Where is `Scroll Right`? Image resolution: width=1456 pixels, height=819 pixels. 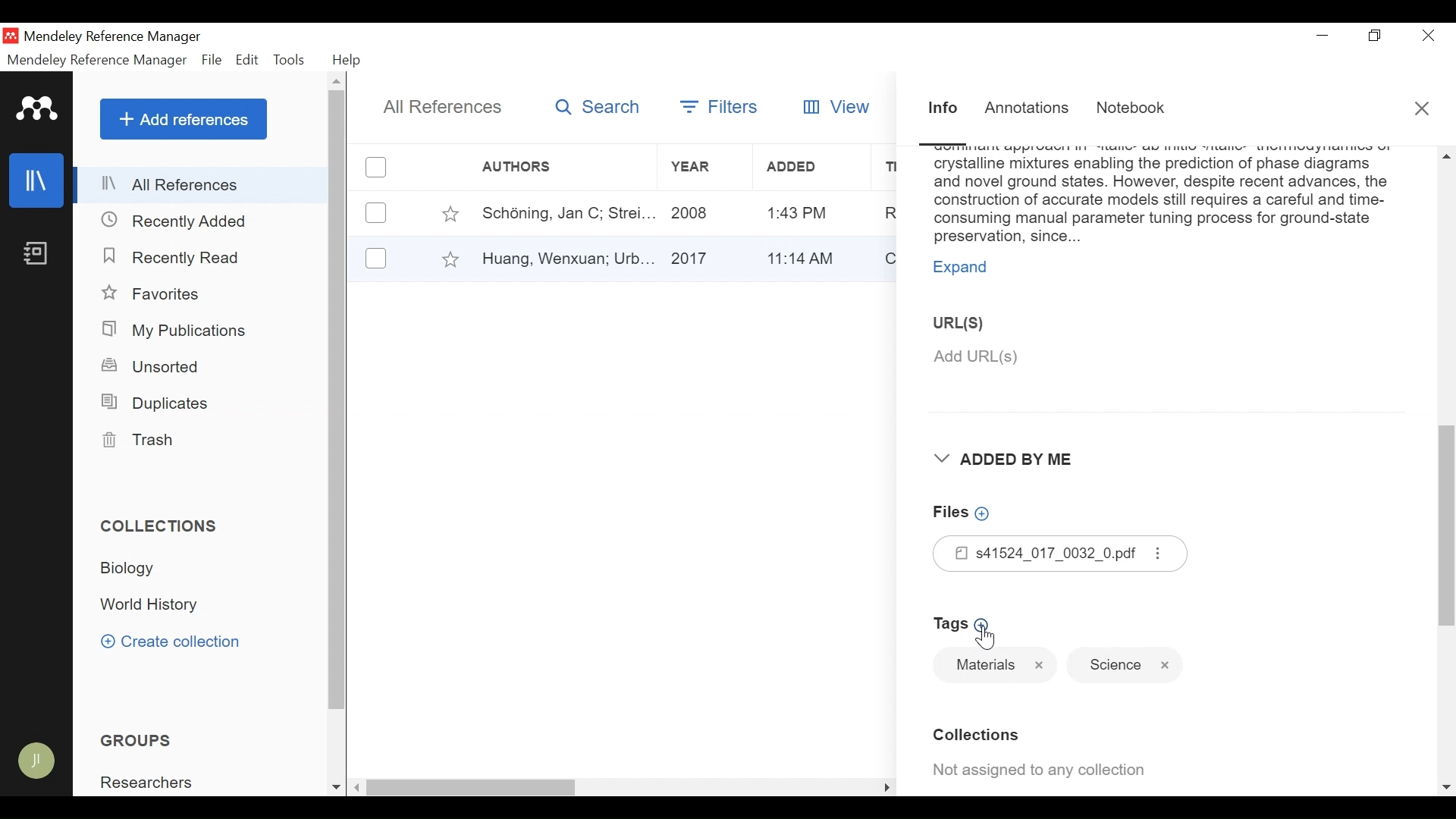 Scroll Right is located at coordinates (887, 787).